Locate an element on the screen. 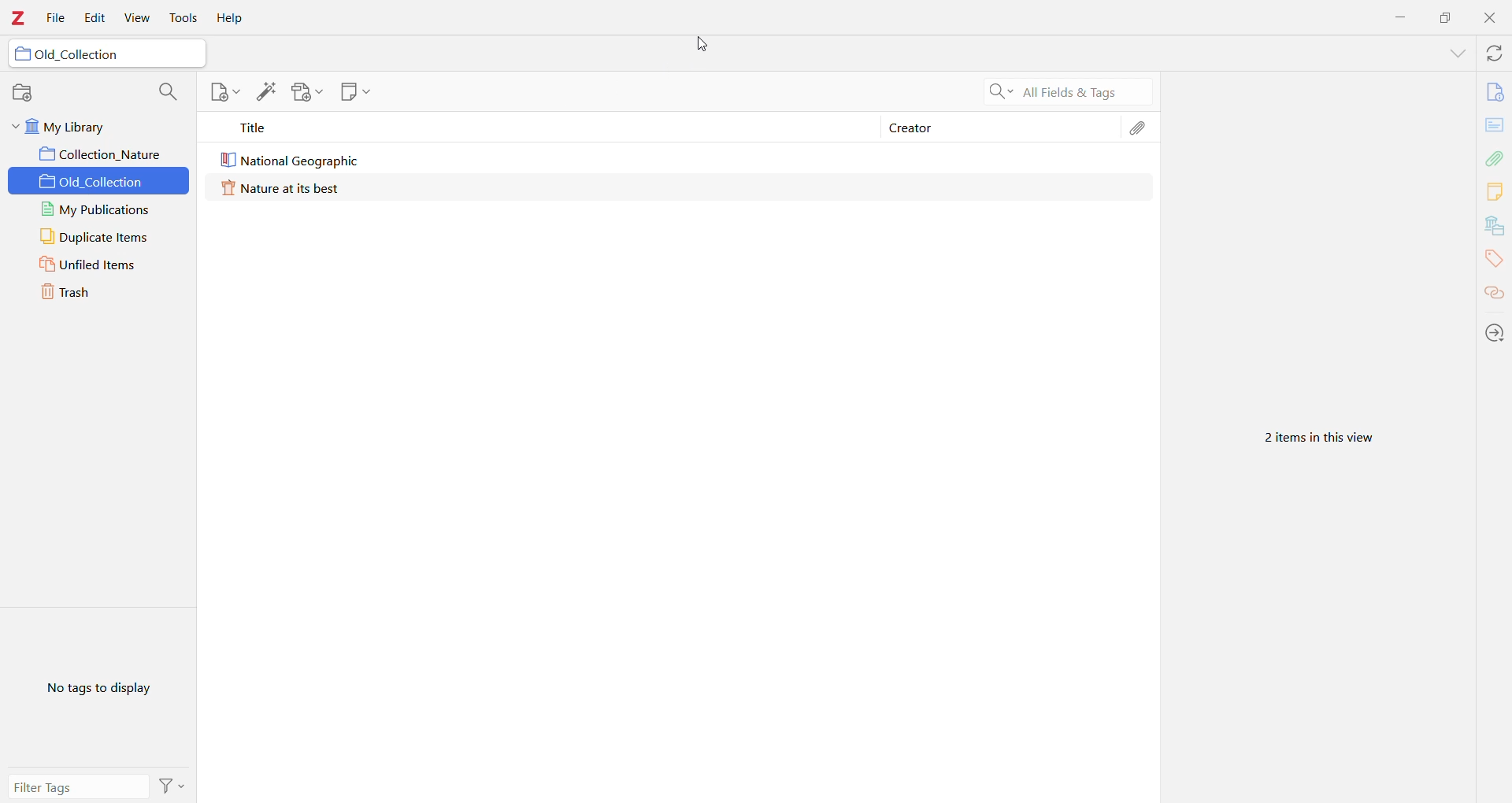  Actions is located at coordinates (1495, 334).